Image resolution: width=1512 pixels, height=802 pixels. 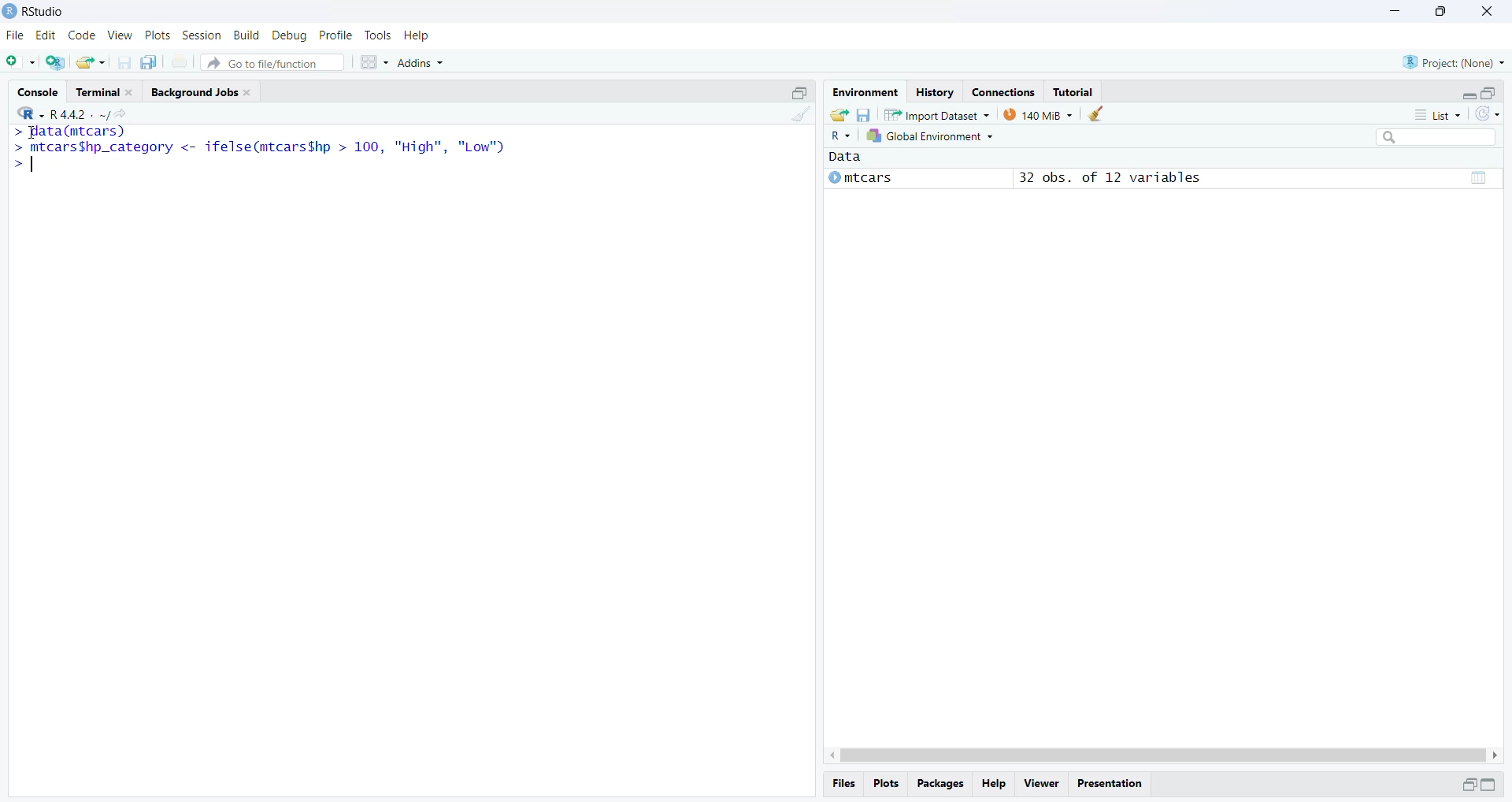 I want to click on Packages, so click(x=941, y=785).